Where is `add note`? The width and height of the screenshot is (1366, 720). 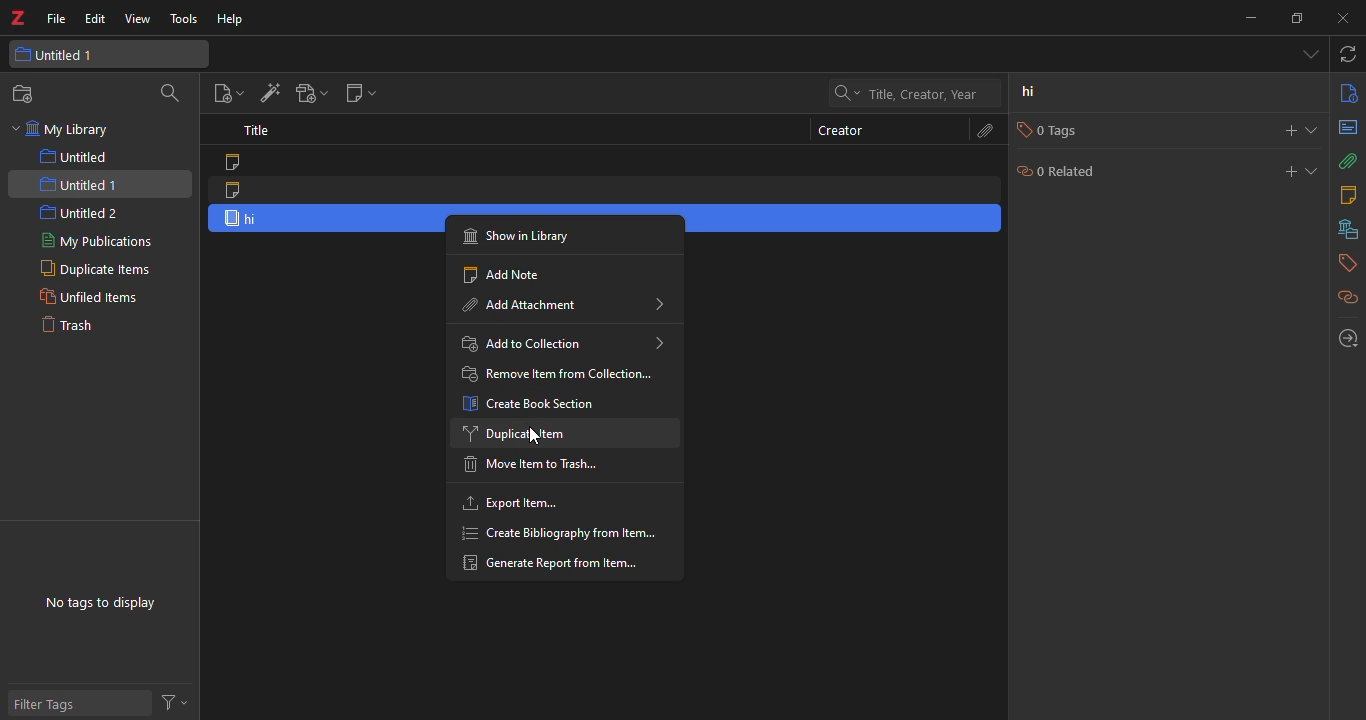 add note is located at coordinates (506, 274).